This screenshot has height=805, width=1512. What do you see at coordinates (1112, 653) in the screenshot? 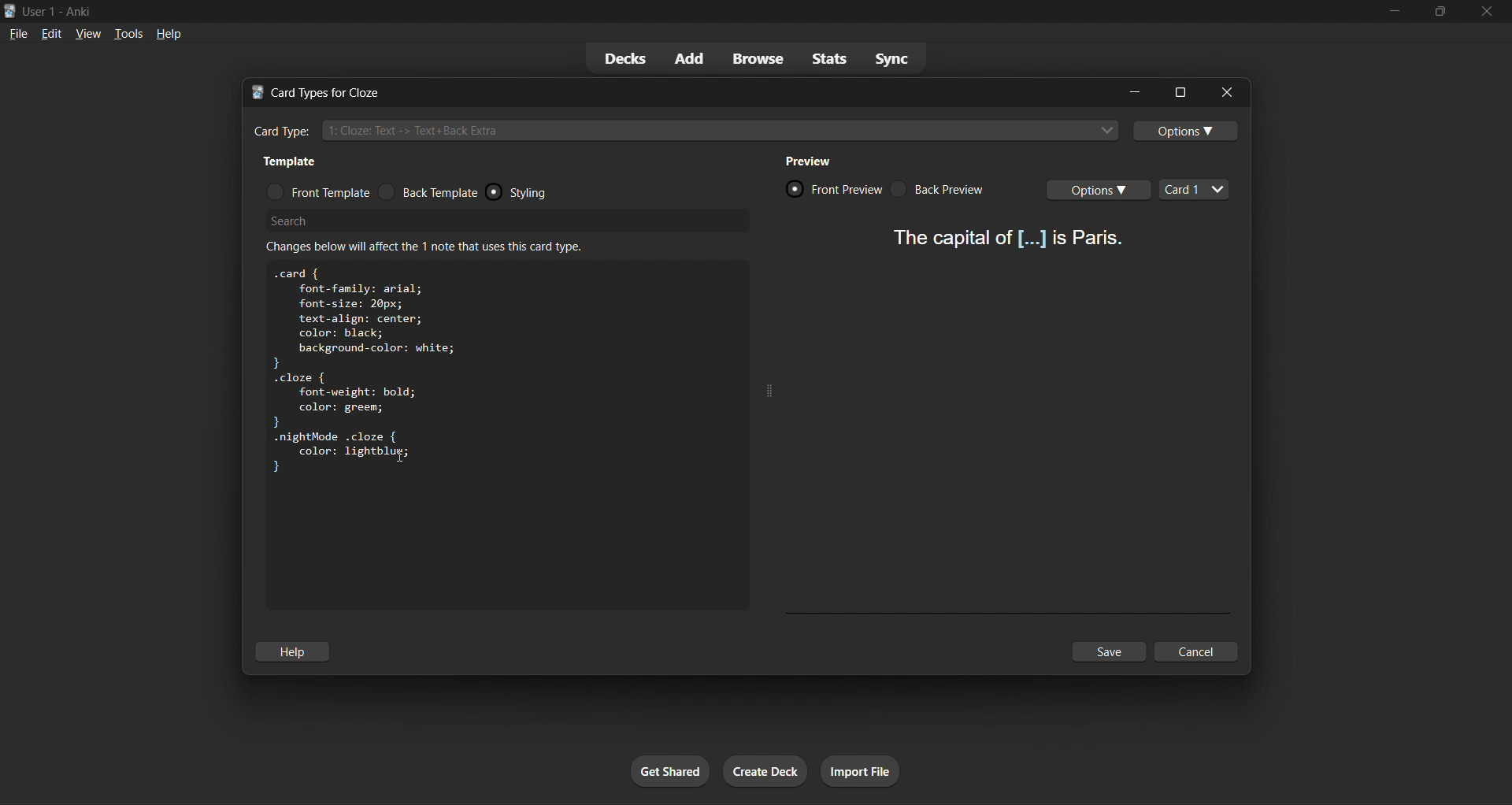
I see `save` at bounding box center [1112, 653].